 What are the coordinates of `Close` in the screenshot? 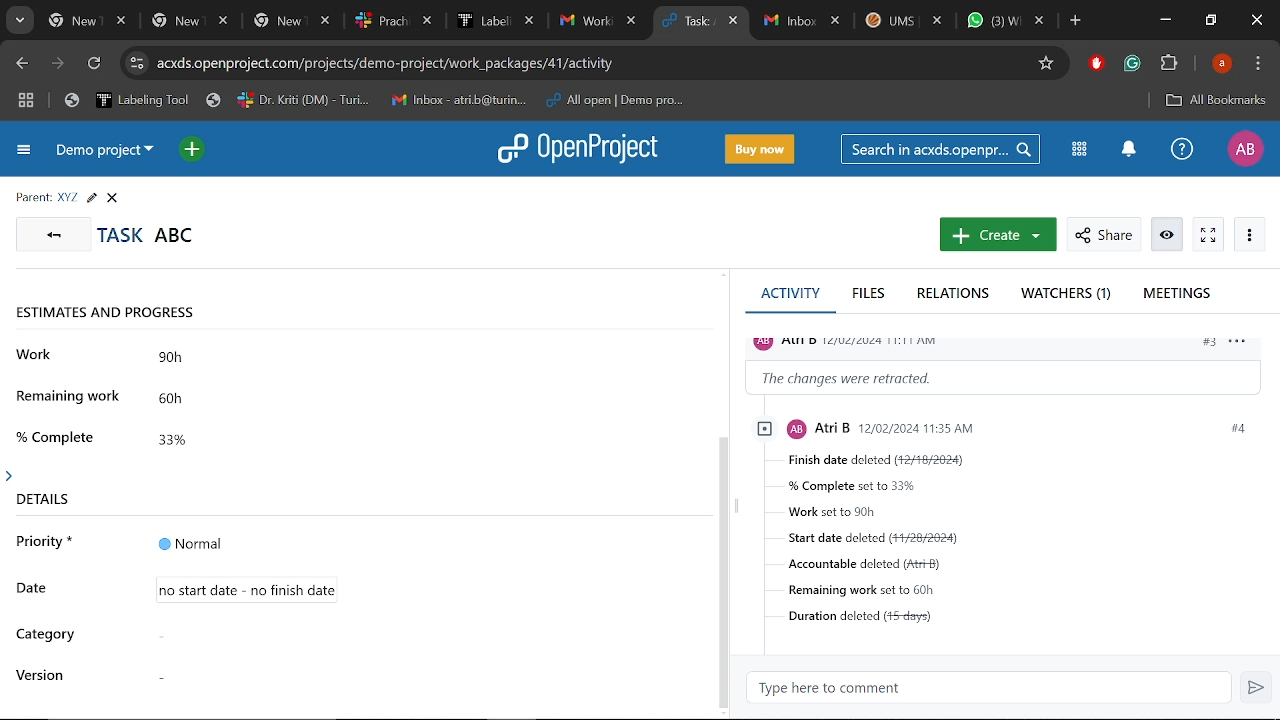 It's located at (112, 198).